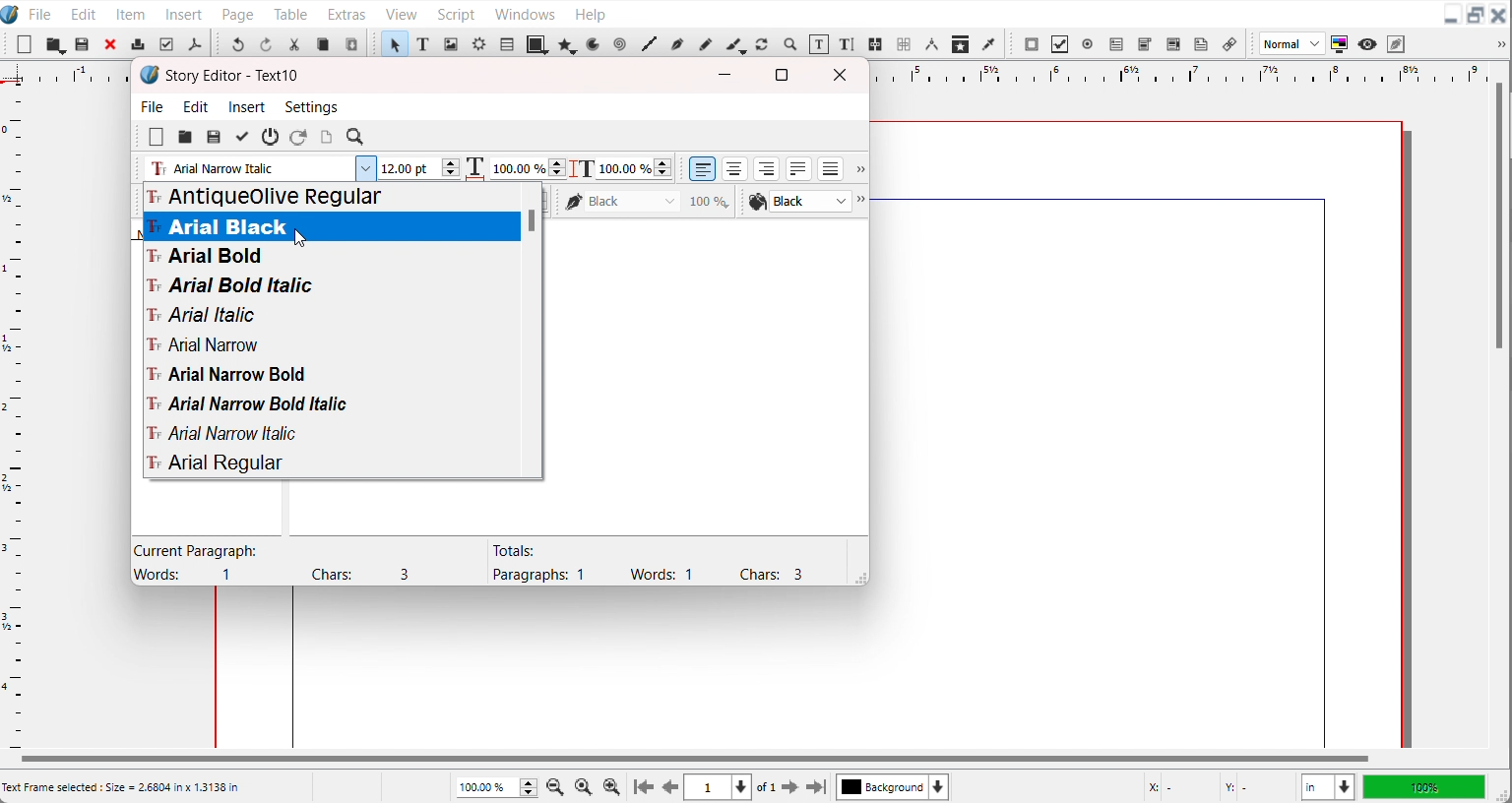 Image resolution: width=1512 pixels, height=803 pixels. I want to click on Font, so click(331, 404).